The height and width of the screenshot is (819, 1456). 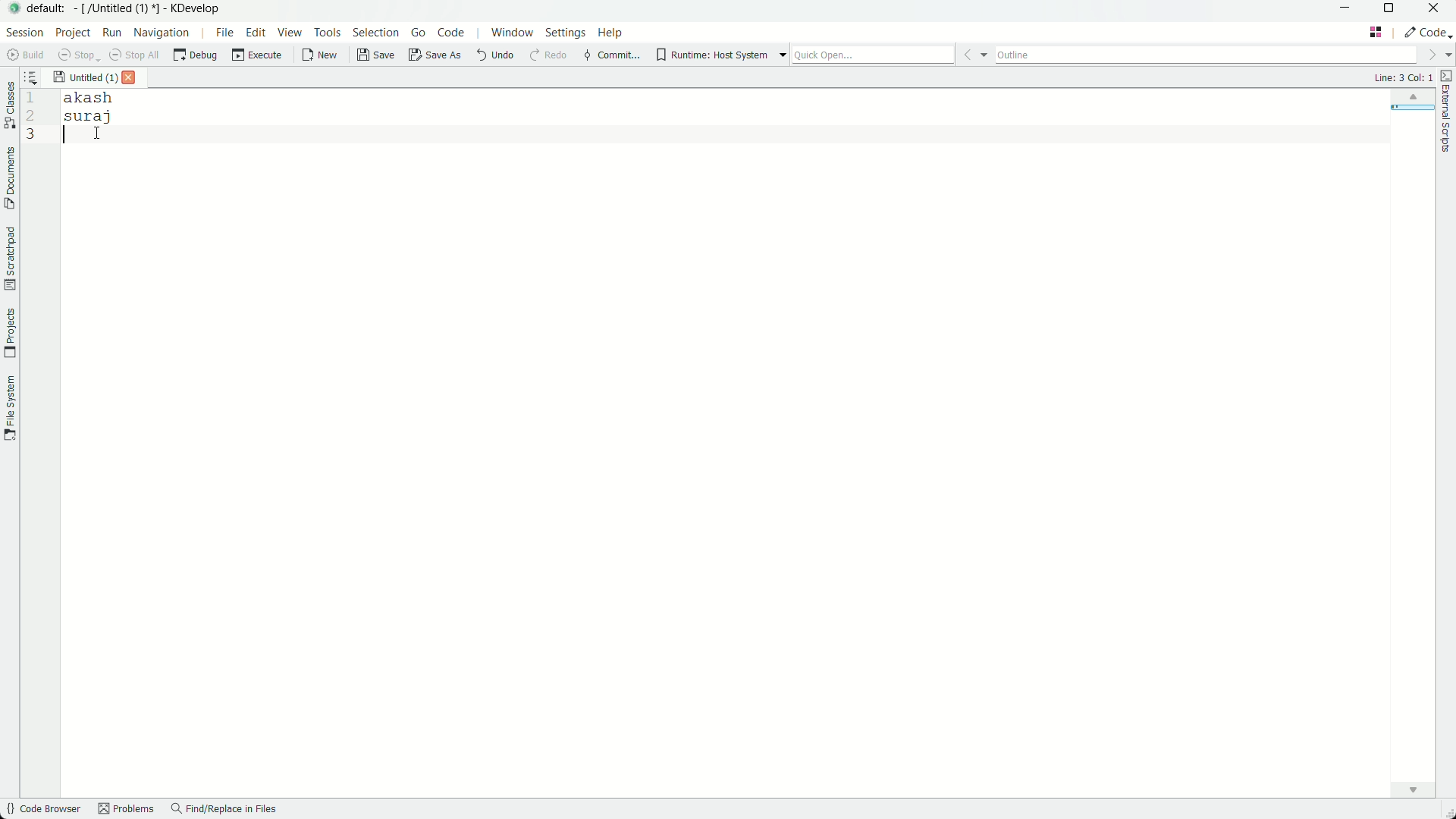 I want to click on content - akash suraj, so click(x=736, y=441).